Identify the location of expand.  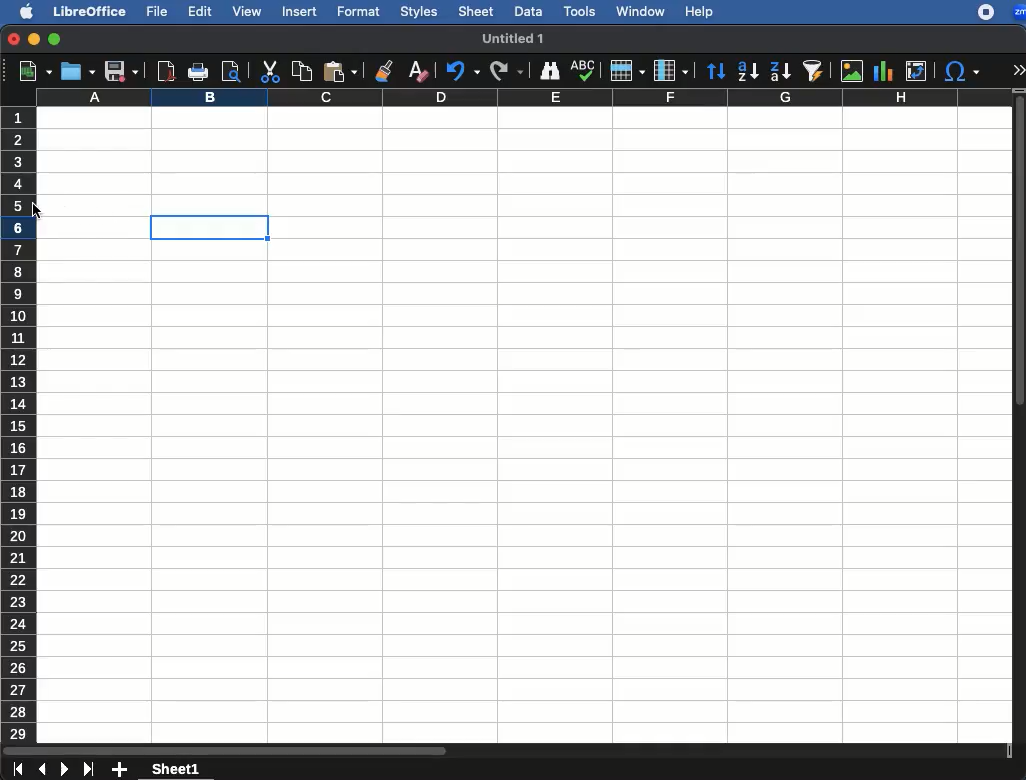
(1019, 66).